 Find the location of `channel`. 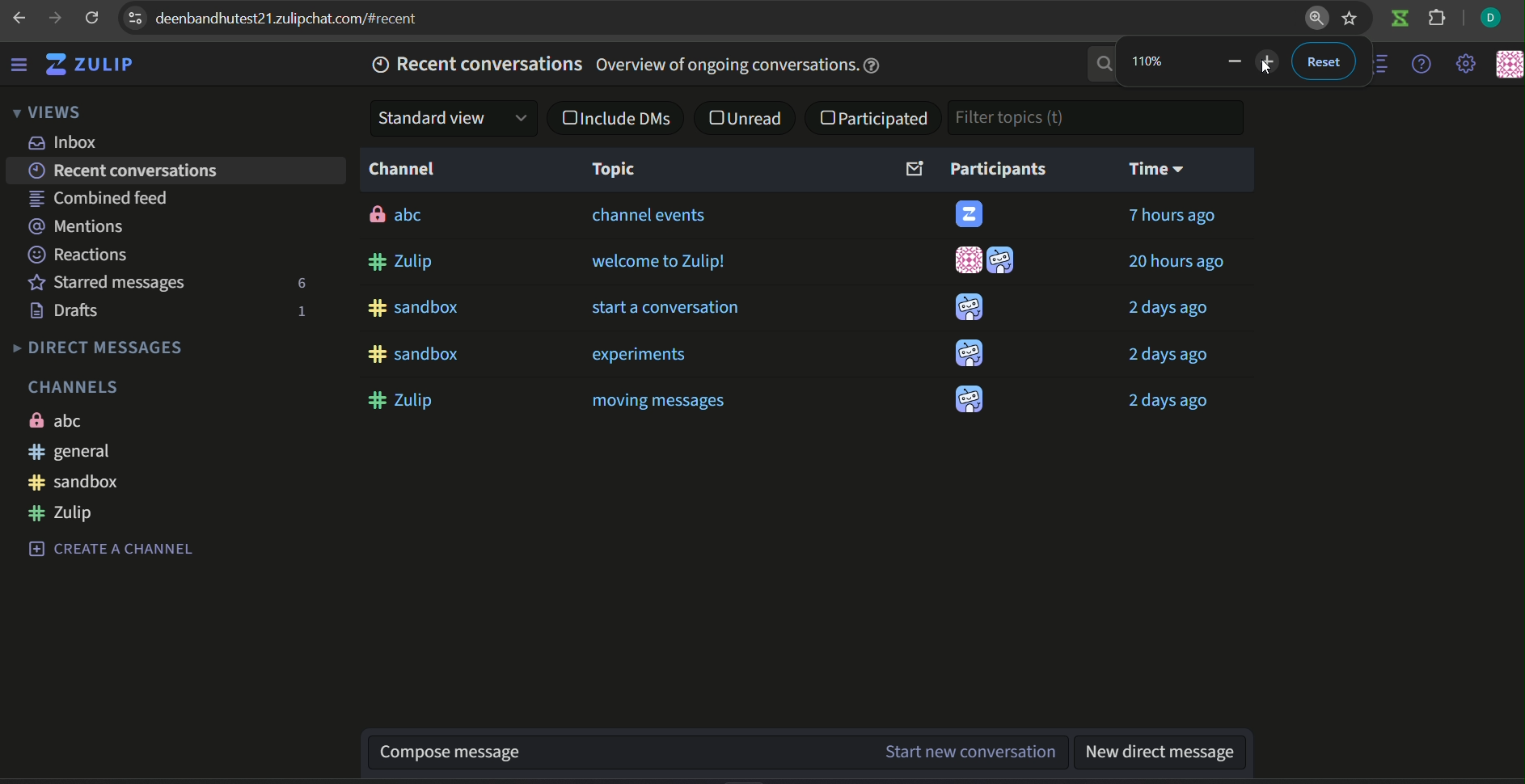

channel is located at coordinates (405, 170).